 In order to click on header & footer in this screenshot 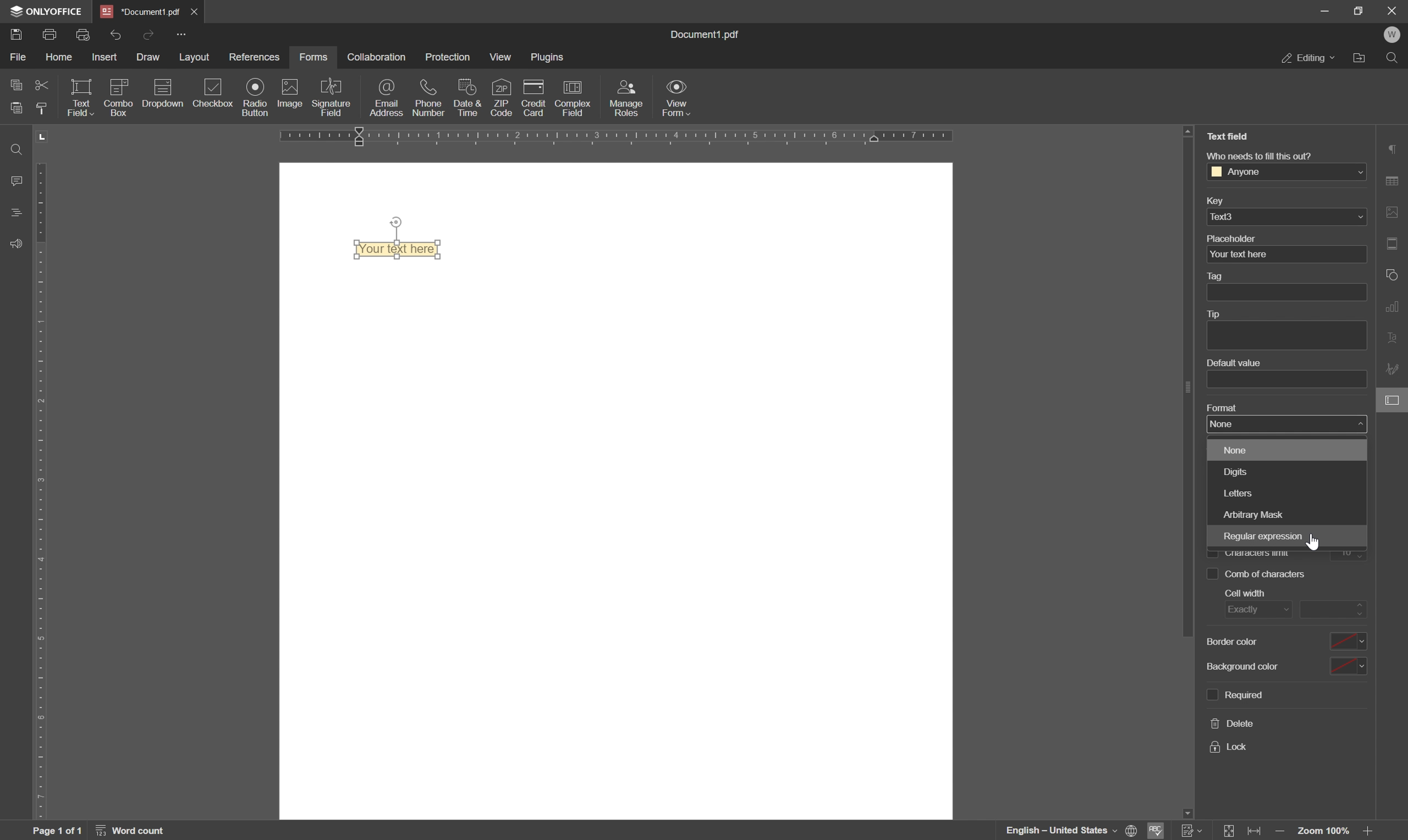, I will do `click(1395, 243)`.